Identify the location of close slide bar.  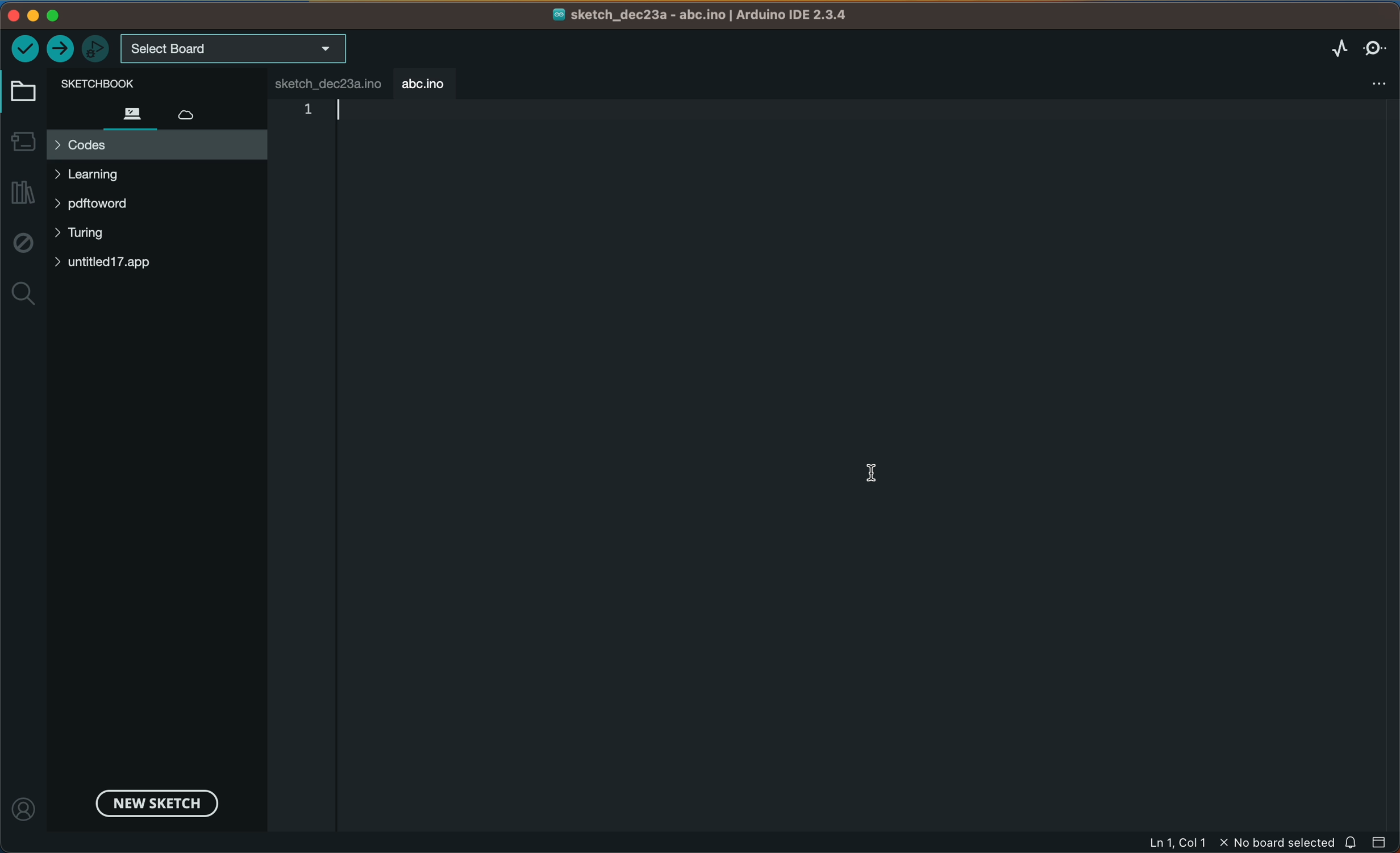
(1380, 841).